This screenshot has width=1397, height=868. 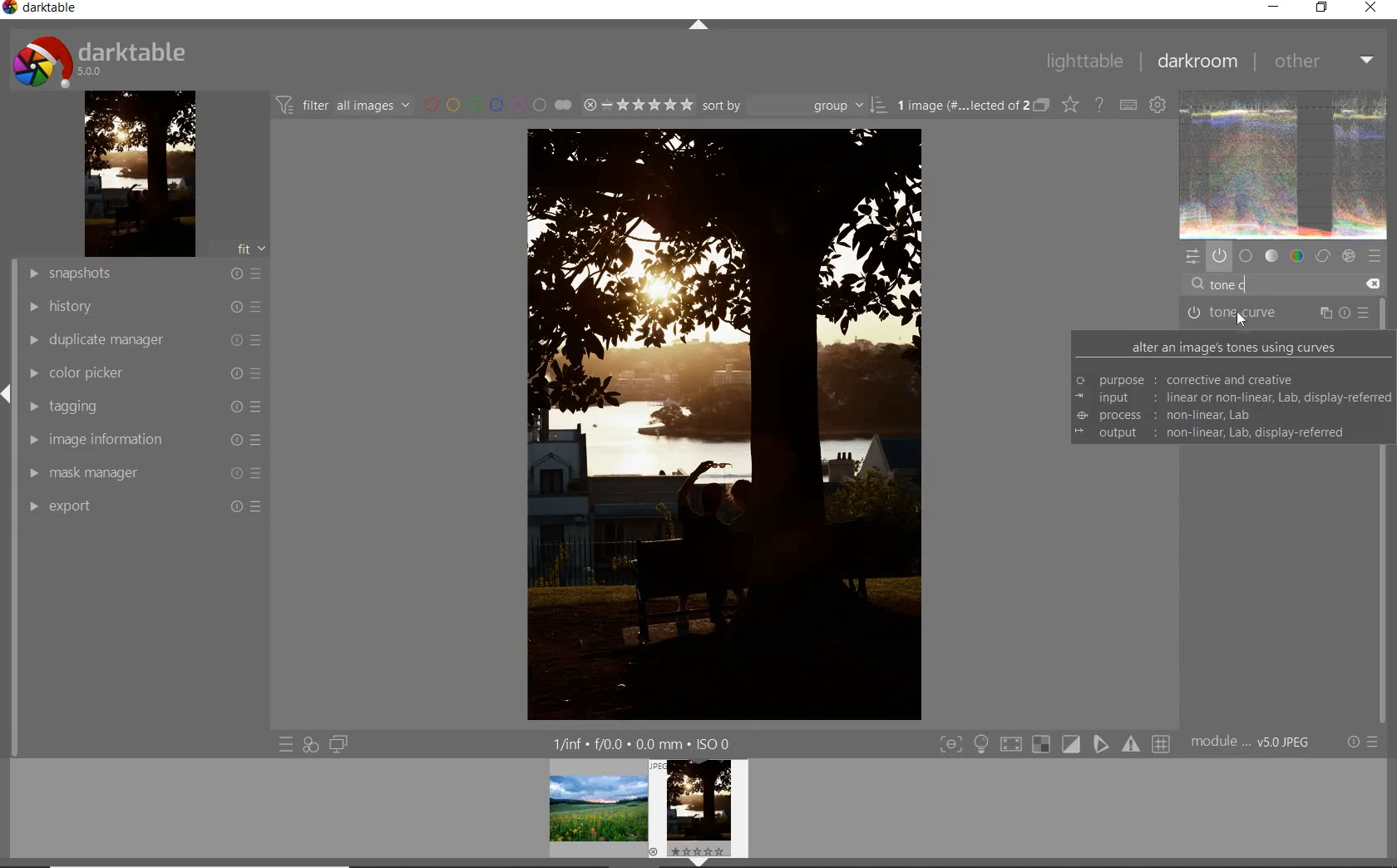 I want to click on filter all images, so click(x=345, y=106).